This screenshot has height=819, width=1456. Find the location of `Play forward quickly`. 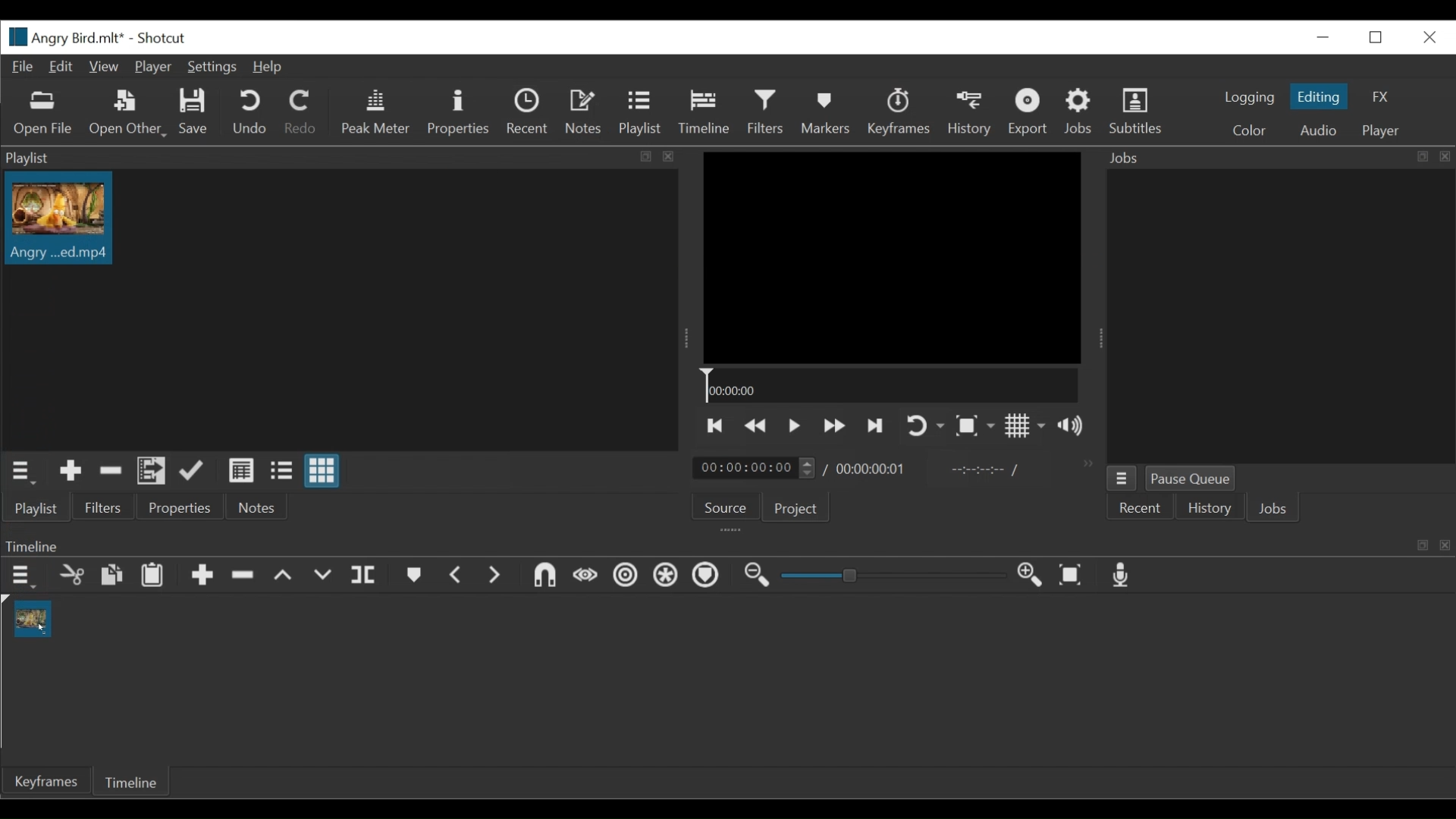

Play forward quickly is located at coordinates (835, 425).